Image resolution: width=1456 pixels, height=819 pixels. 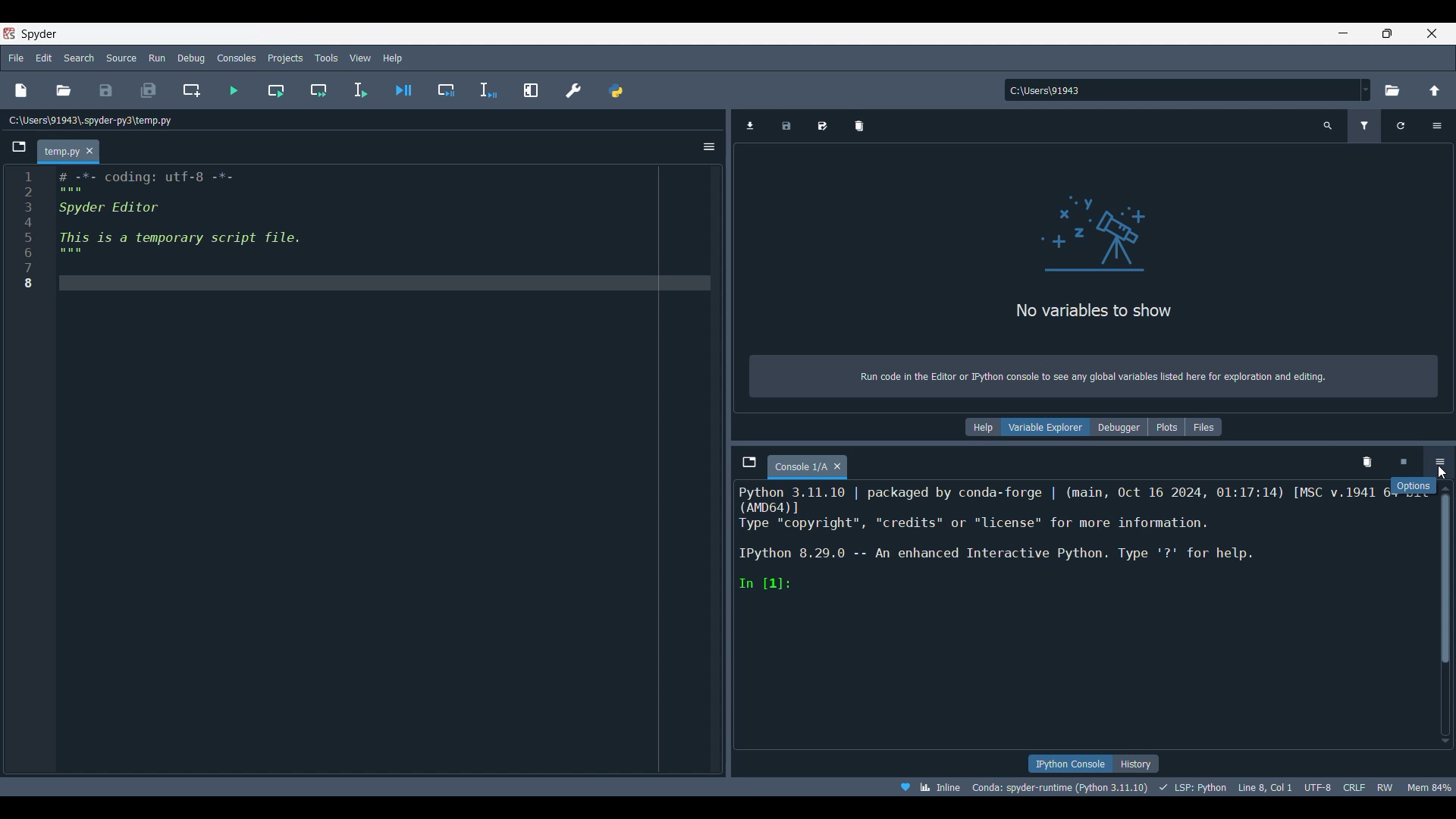 What do you see at coordinates (149, 90) in the screenshot?
I see `Save all files` at bounding box center [149, 90].